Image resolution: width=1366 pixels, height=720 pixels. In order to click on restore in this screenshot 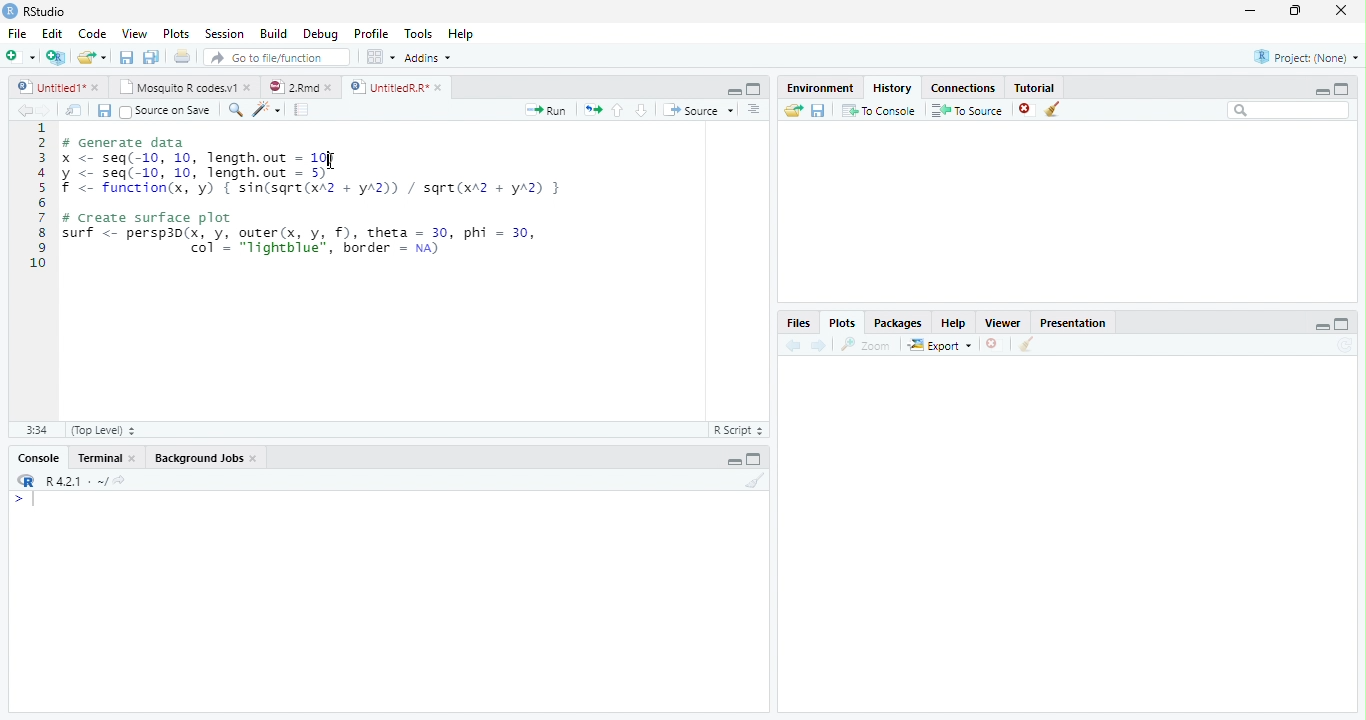, I will do `click(1295, 10)`.